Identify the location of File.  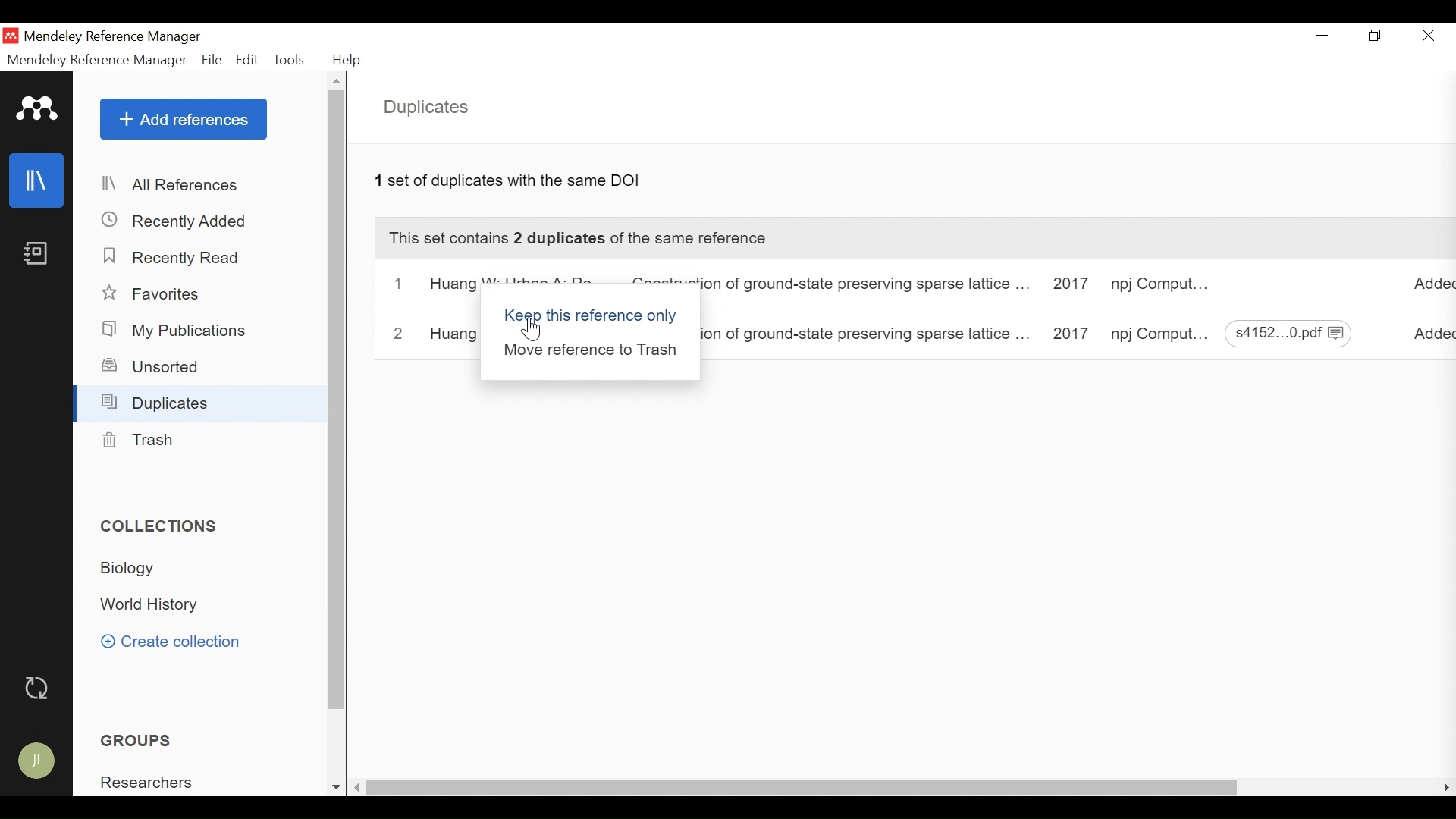
(212, 61).